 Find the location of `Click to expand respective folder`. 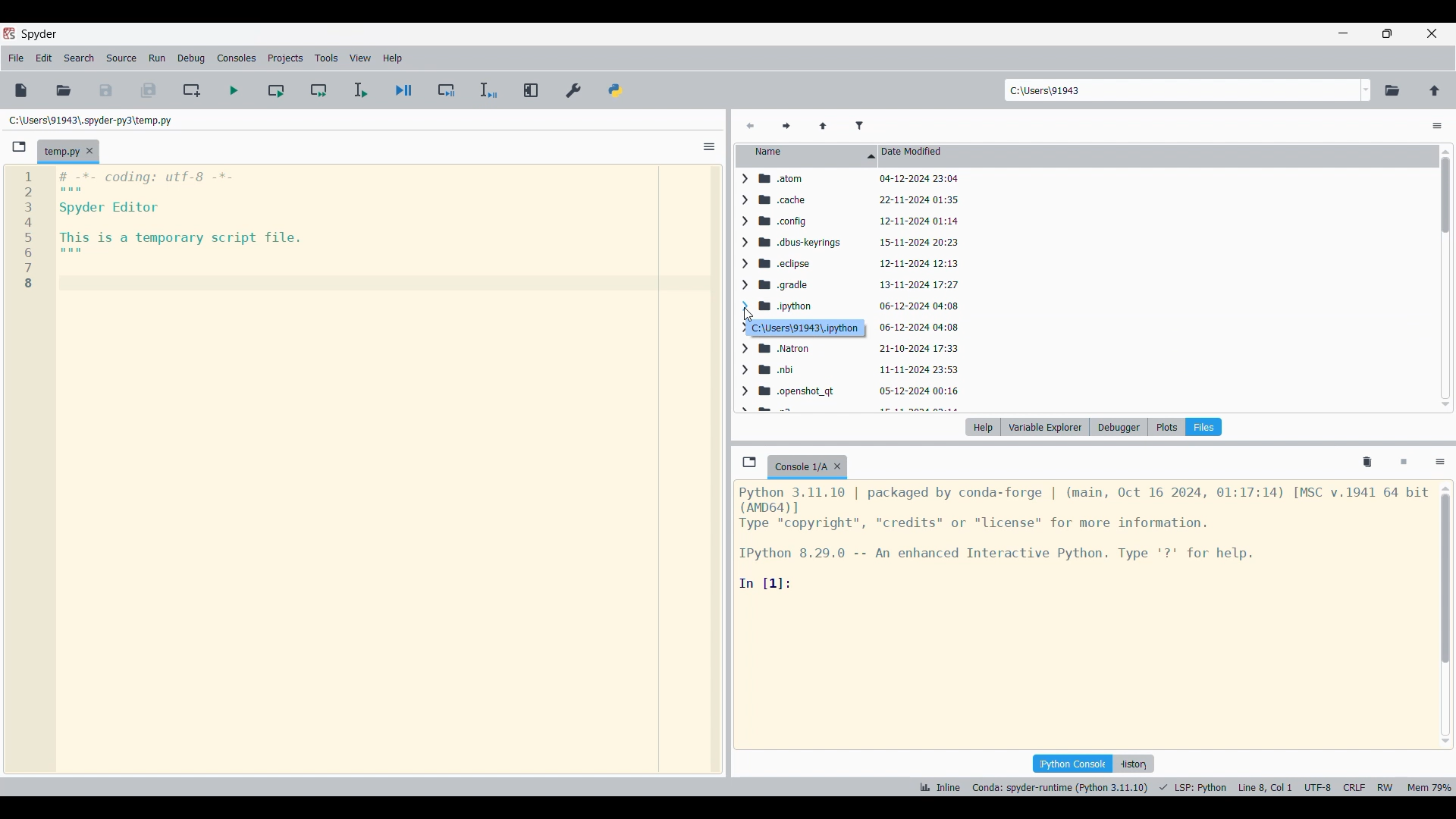

Click to expand respective folder is located at coordinates (746, 292).